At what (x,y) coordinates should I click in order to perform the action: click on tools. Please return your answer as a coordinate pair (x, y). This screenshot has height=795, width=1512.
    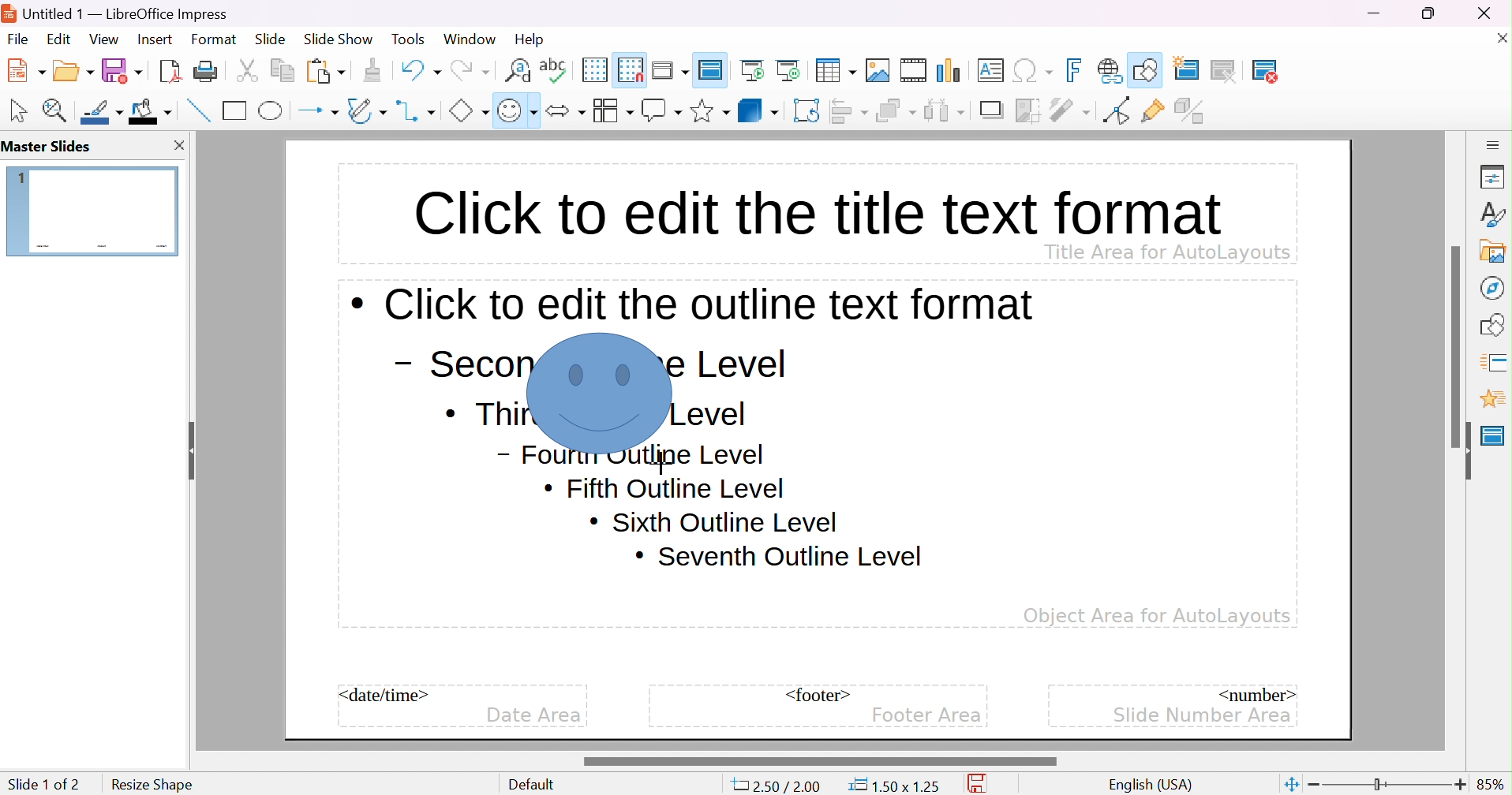
    Looking at the image, I should click on (410, 39).